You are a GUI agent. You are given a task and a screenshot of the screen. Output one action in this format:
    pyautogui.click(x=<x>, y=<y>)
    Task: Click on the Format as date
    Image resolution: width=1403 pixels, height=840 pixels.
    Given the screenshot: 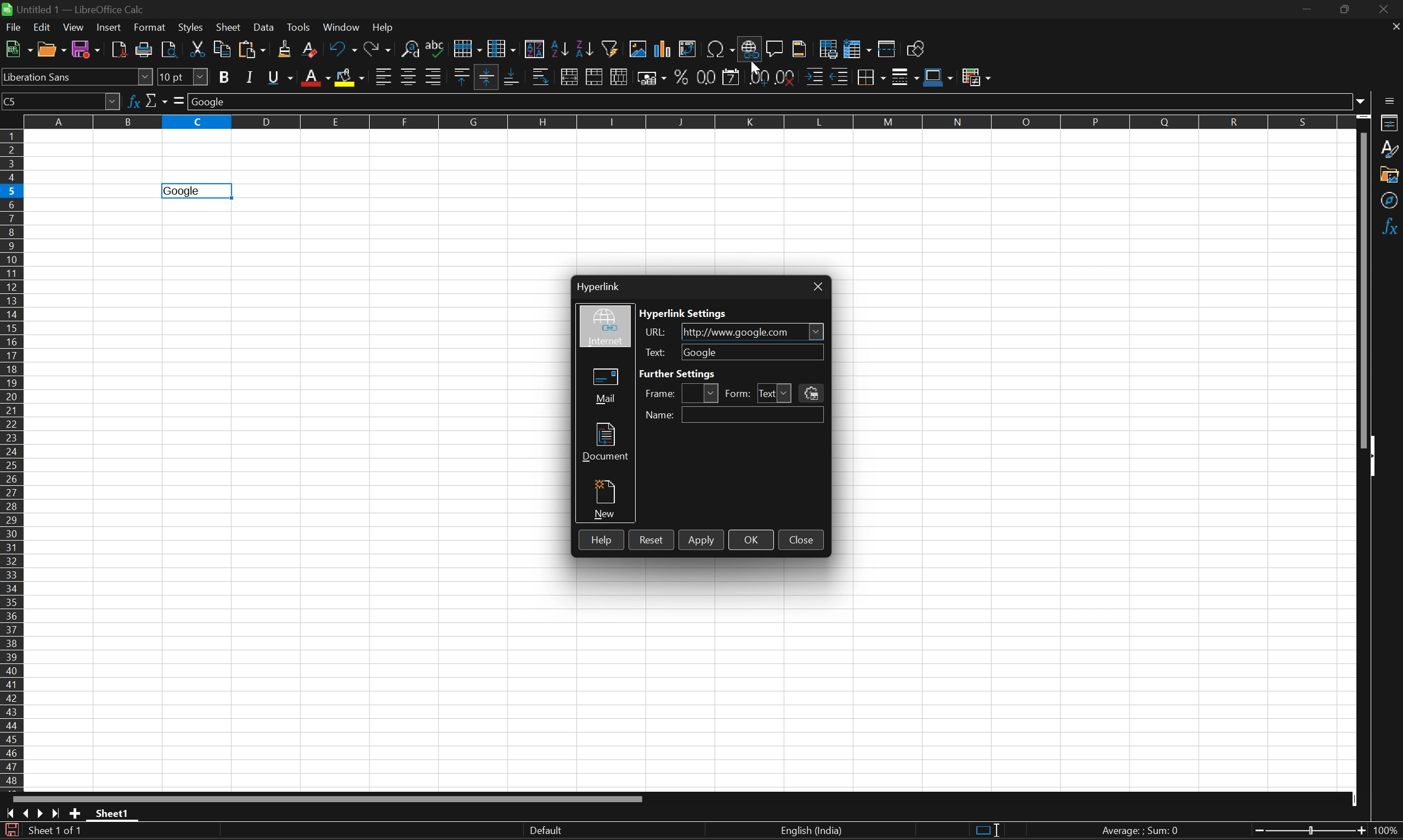 What is the action you would take?
    pyautogui.click(x=732, y=78)
    